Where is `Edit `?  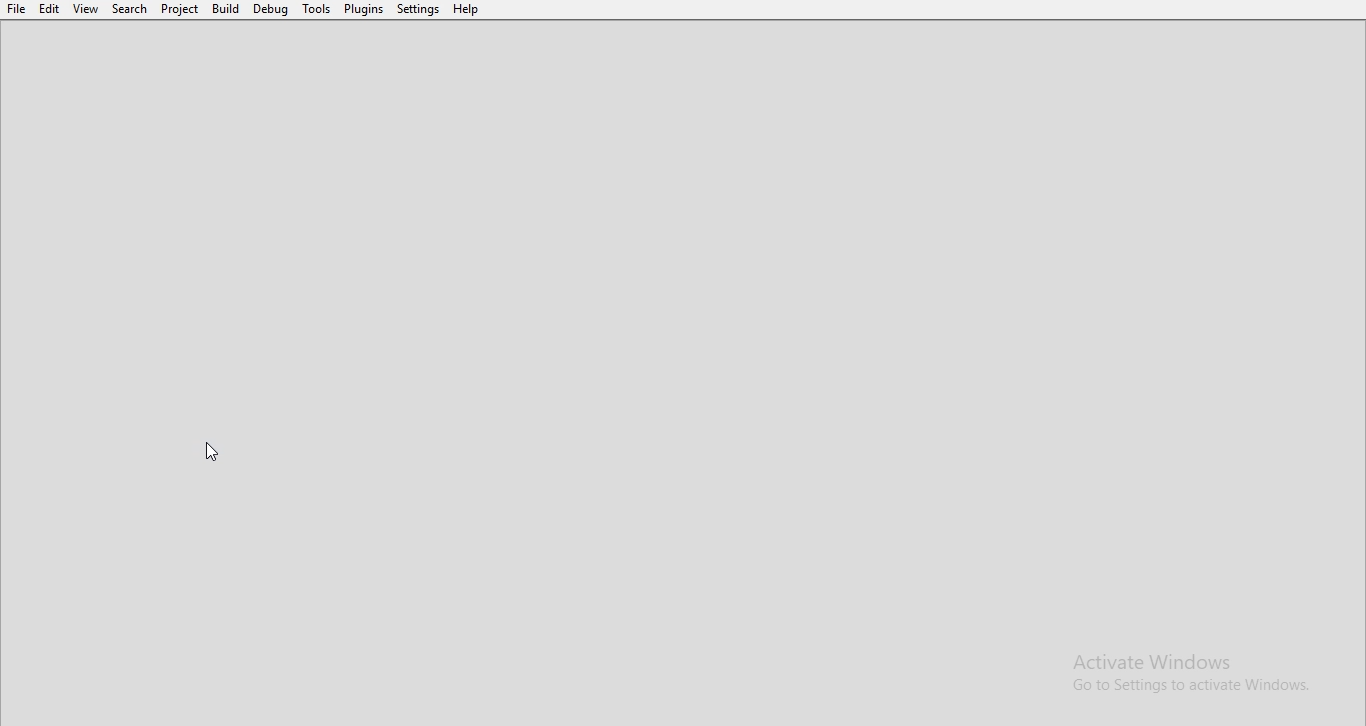
Edit  is located at coordinates (49, 9).